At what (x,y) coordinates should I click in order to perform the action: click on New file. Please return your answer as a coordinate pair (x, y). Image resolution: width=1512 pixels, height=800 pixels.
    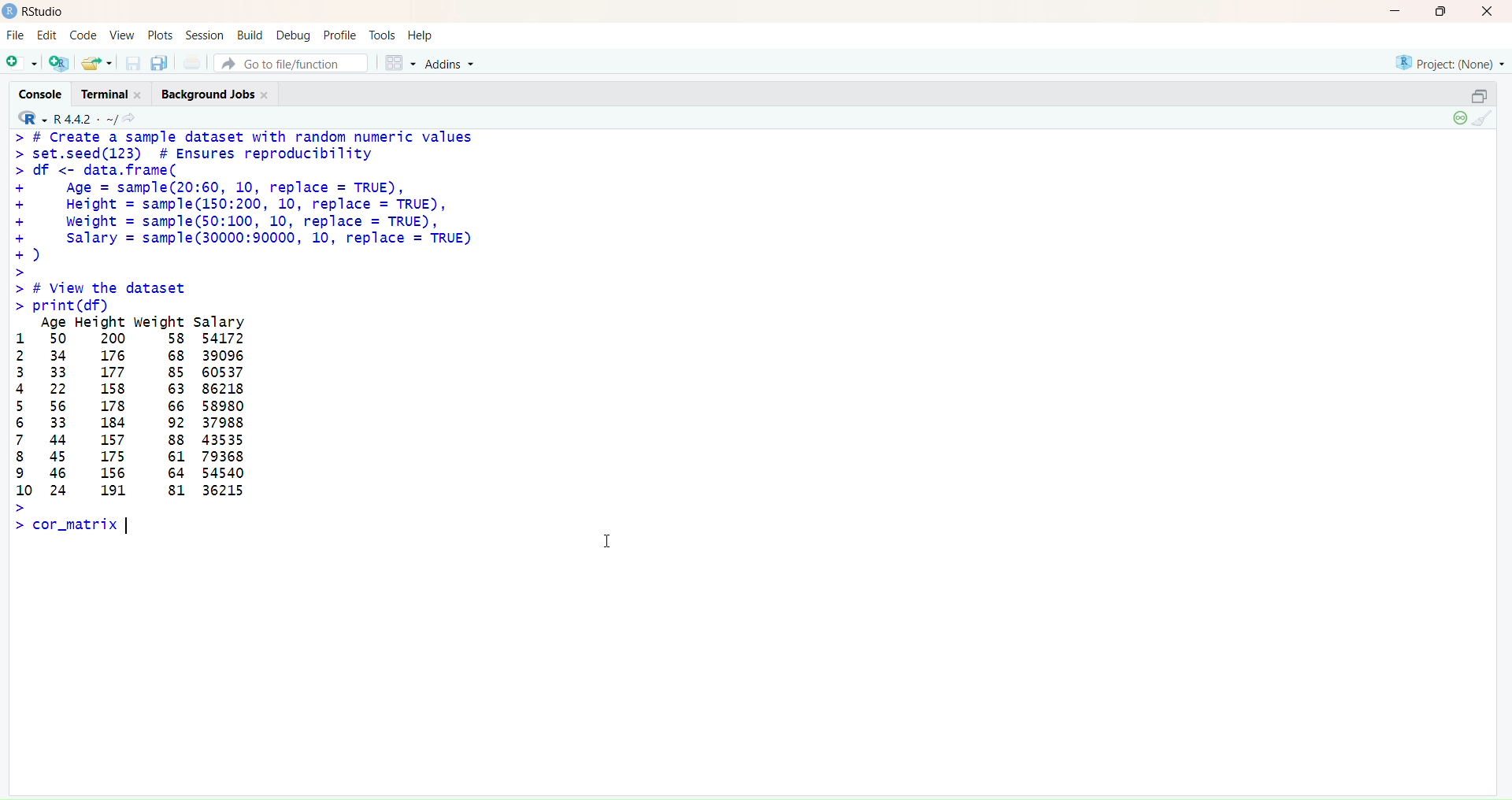
    Looking at the image, I should click on (22, 61).